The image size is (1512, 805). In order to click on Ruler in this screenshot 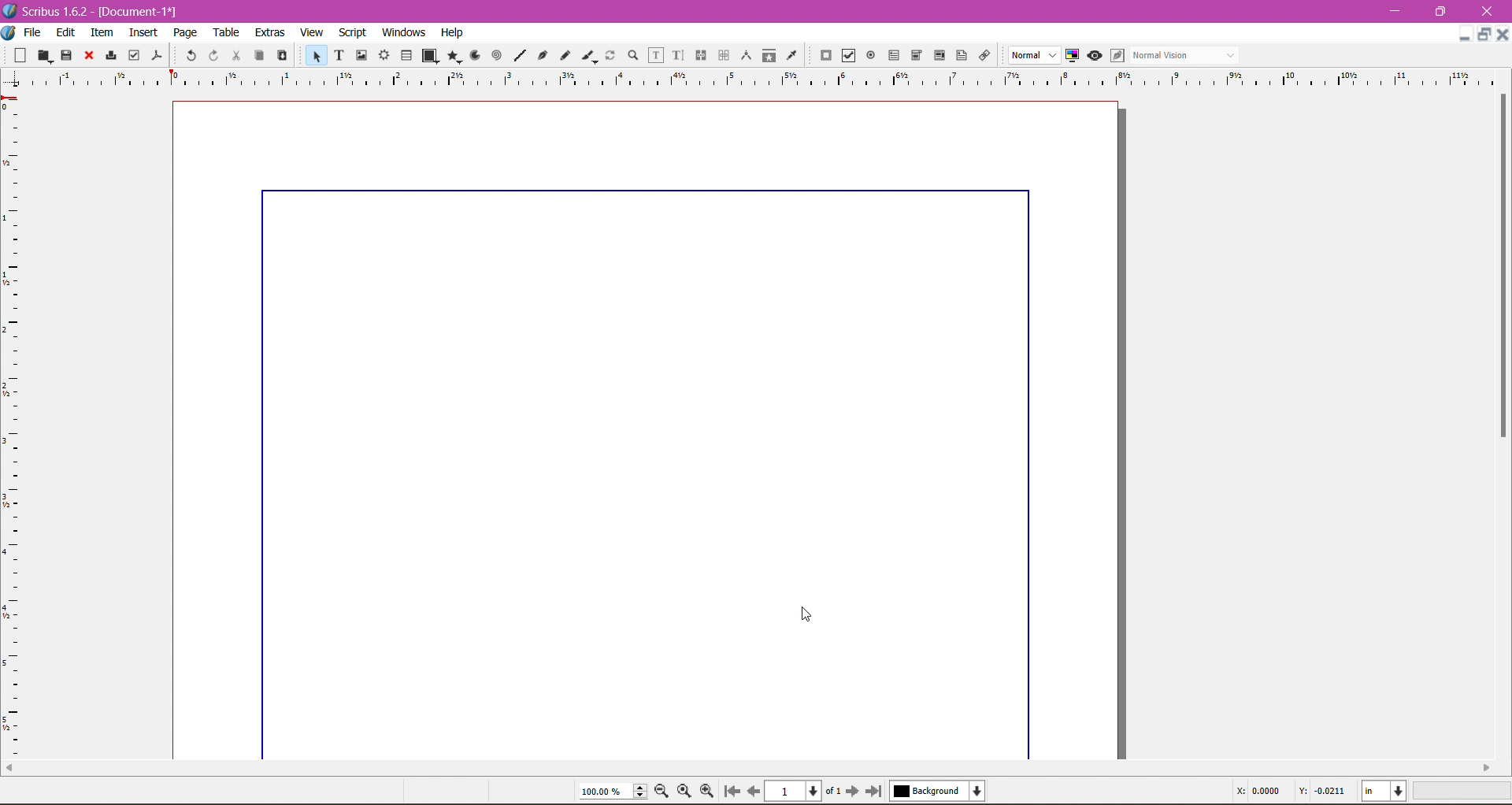, I will do `click(759, 79)`.